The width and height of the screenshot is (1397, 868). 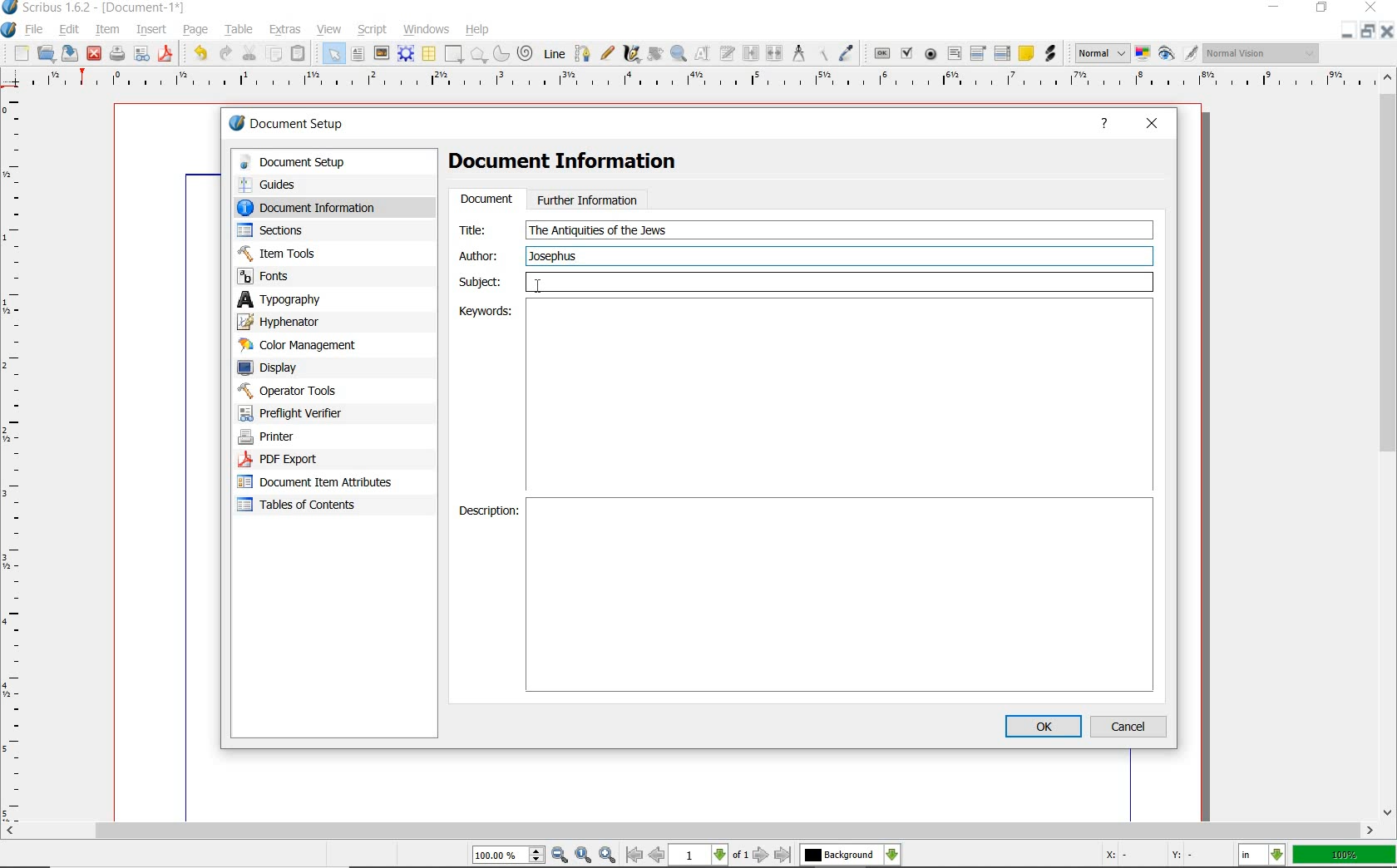 What do you see at coordinates (117, 55) in the screenshot?
I see `print` at bounding box center [117, 55].